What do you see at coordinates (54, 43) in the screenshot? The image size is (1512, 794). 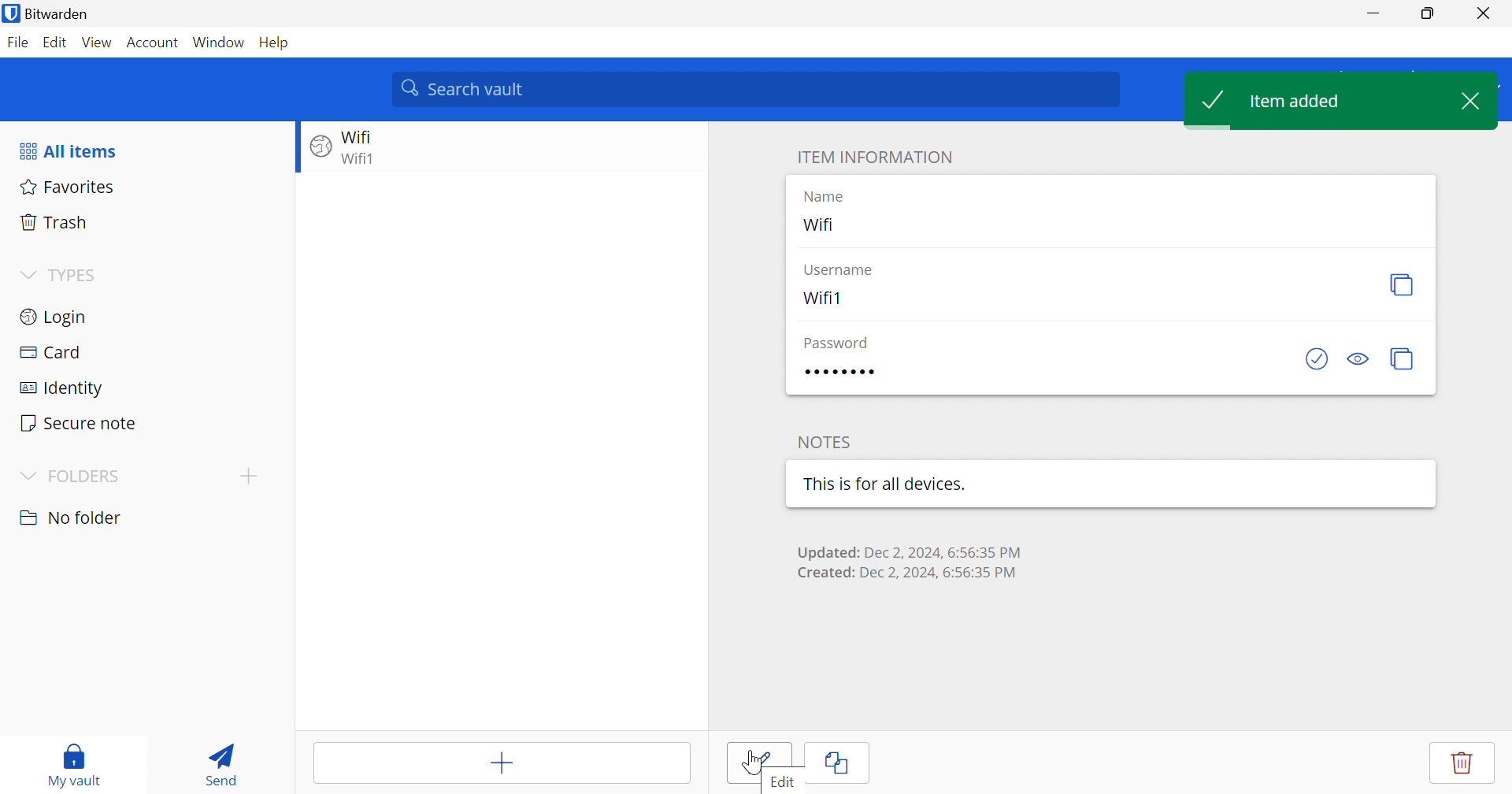 I see `Edit` at bounding box center [54, 43].